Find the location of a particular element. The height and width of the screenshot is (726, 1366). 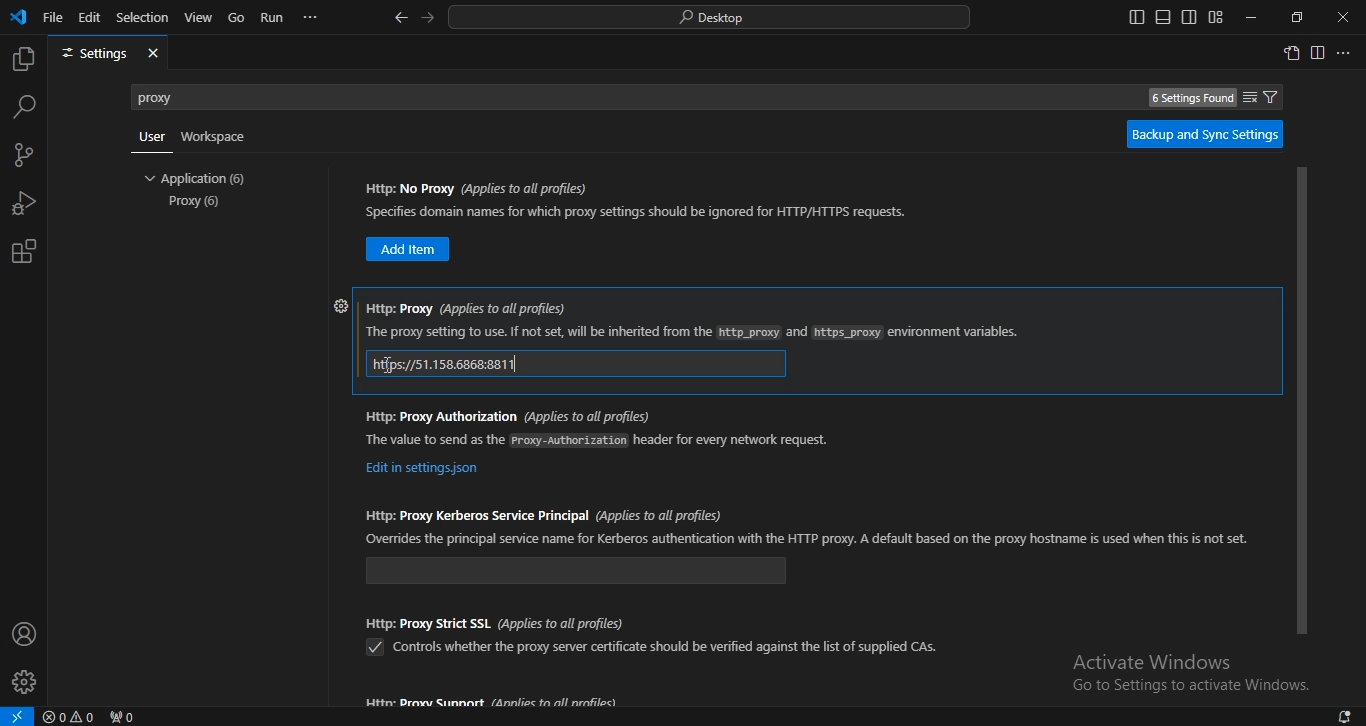

toggle primary side bar is located at coordinates (1134, 18).